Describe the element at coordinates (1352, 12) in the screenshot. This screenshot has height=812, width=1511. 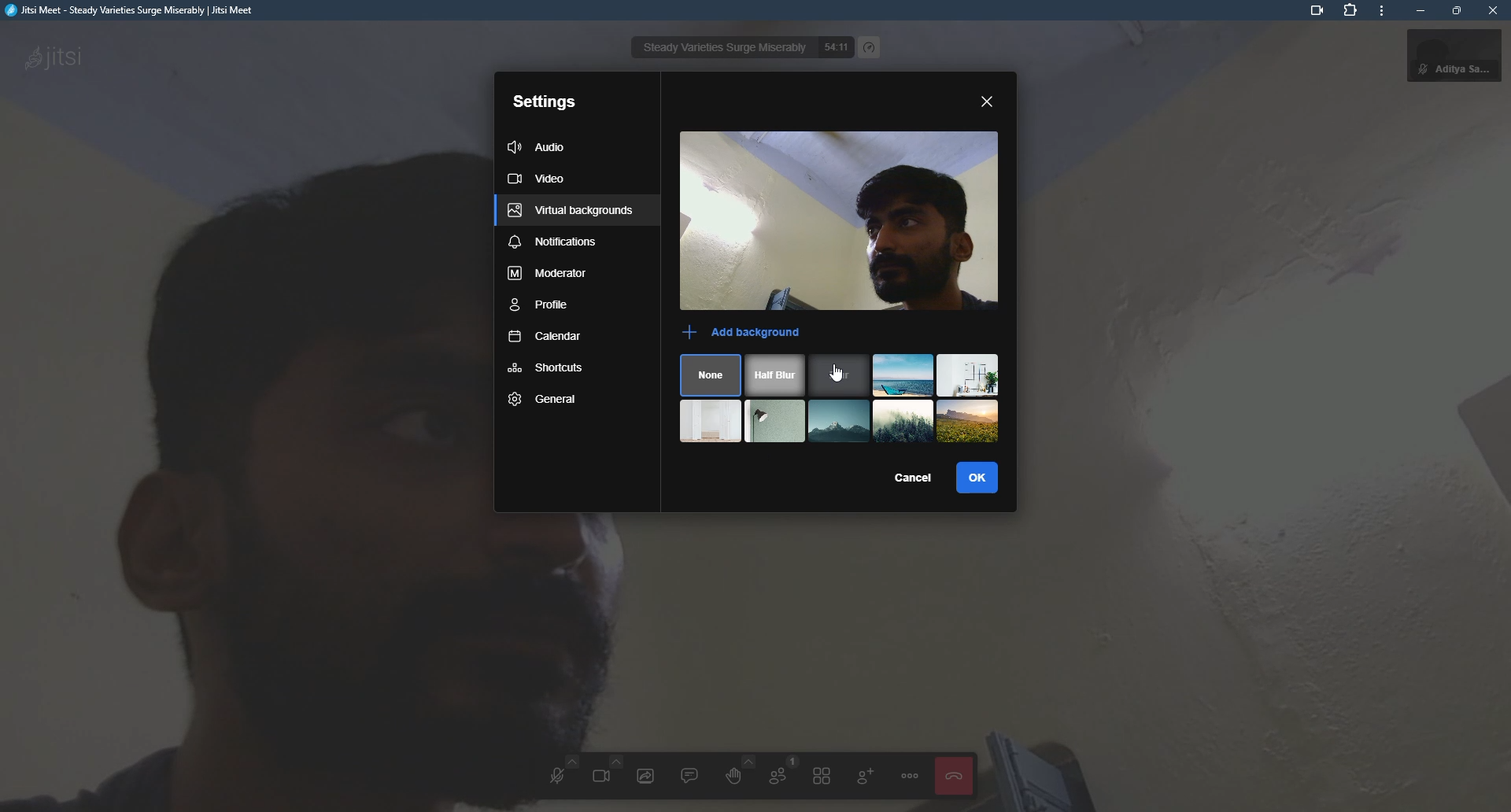
I see `extensions` at that location.